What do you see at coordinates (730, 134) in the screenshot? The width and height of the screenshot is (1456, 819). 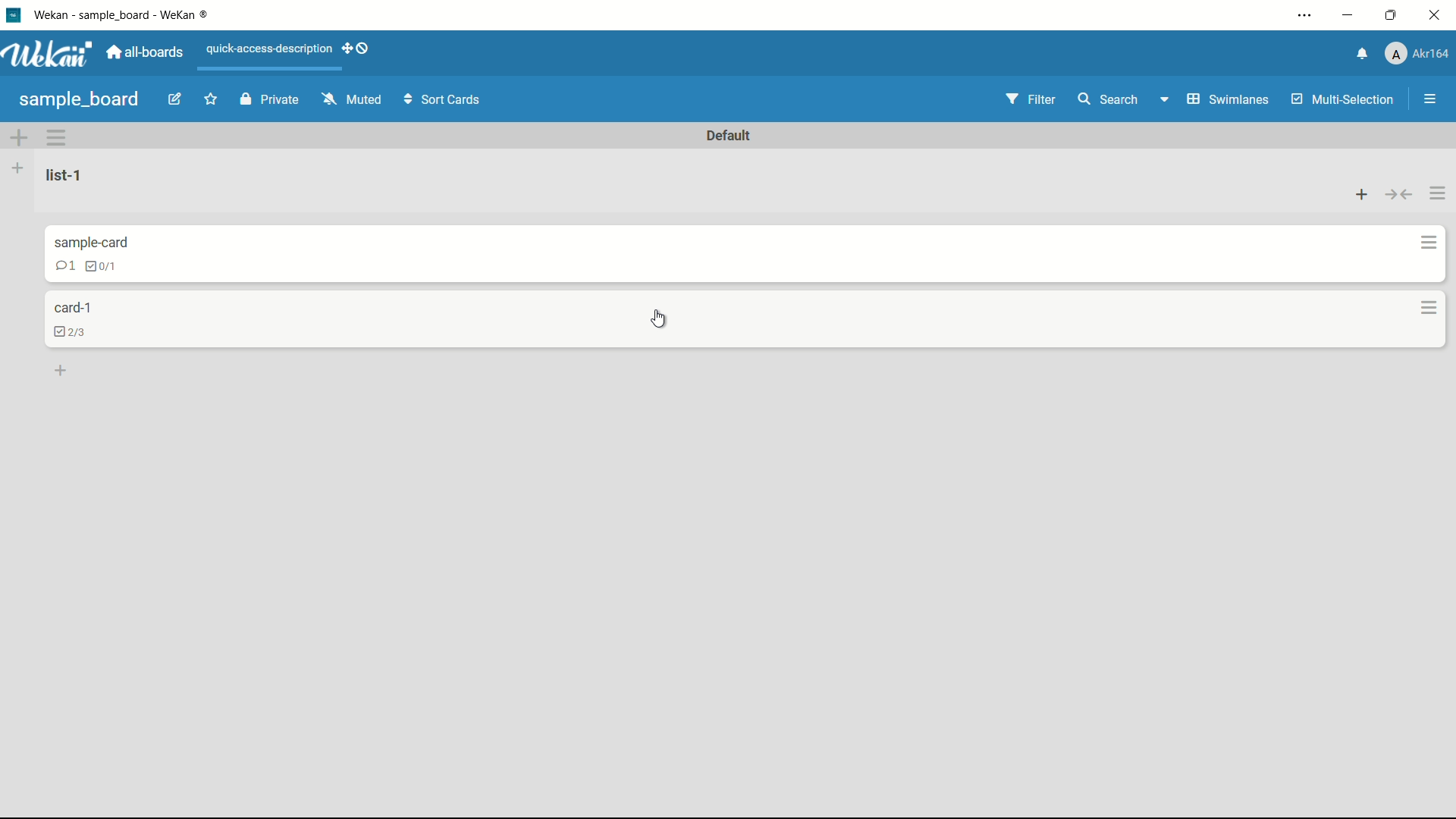 I see `default` at bounding box center [730, 134].